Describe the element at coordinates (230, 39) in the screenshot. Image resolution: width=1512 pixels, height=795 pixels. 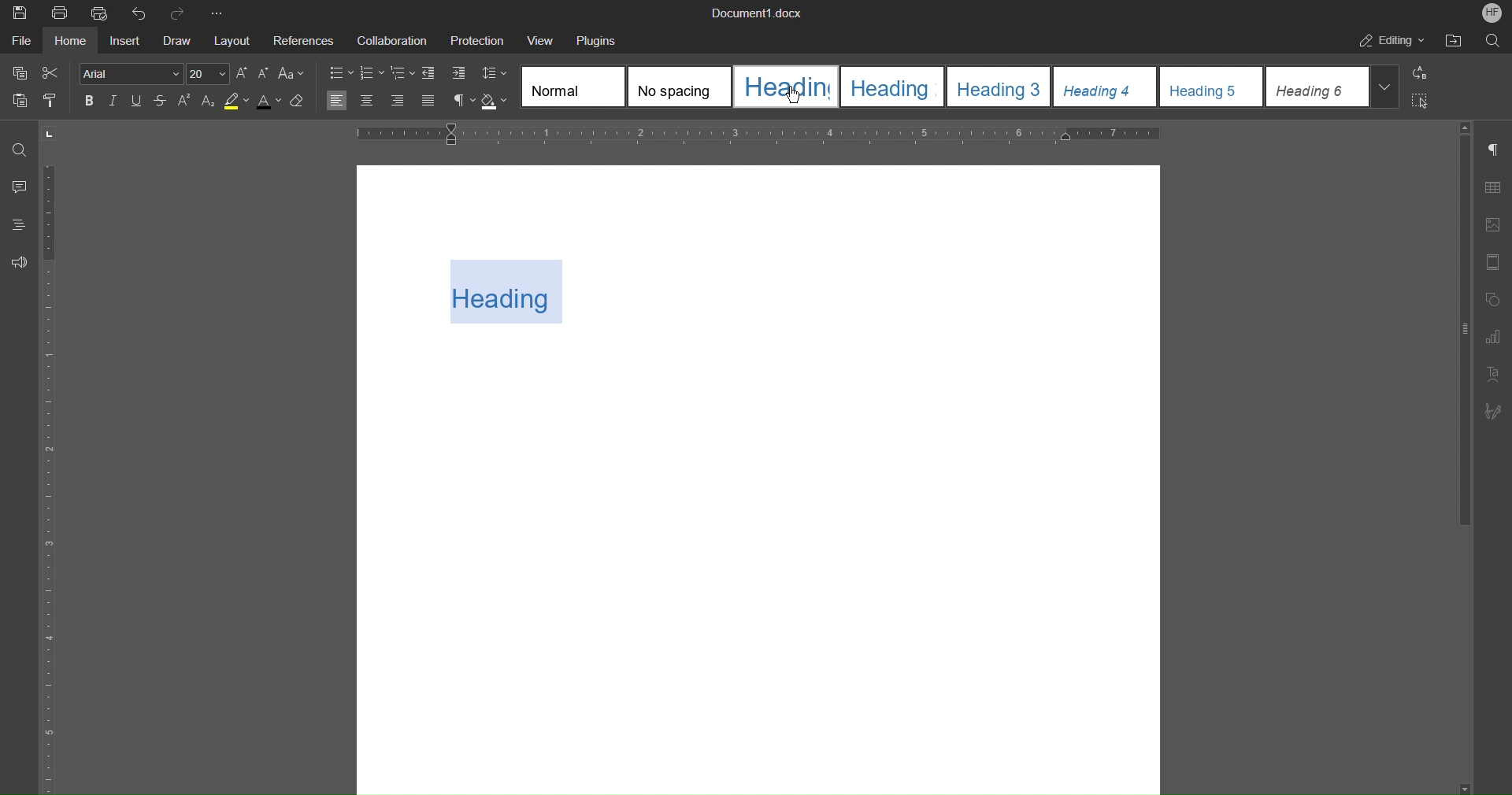
I see `Layout` at that location.